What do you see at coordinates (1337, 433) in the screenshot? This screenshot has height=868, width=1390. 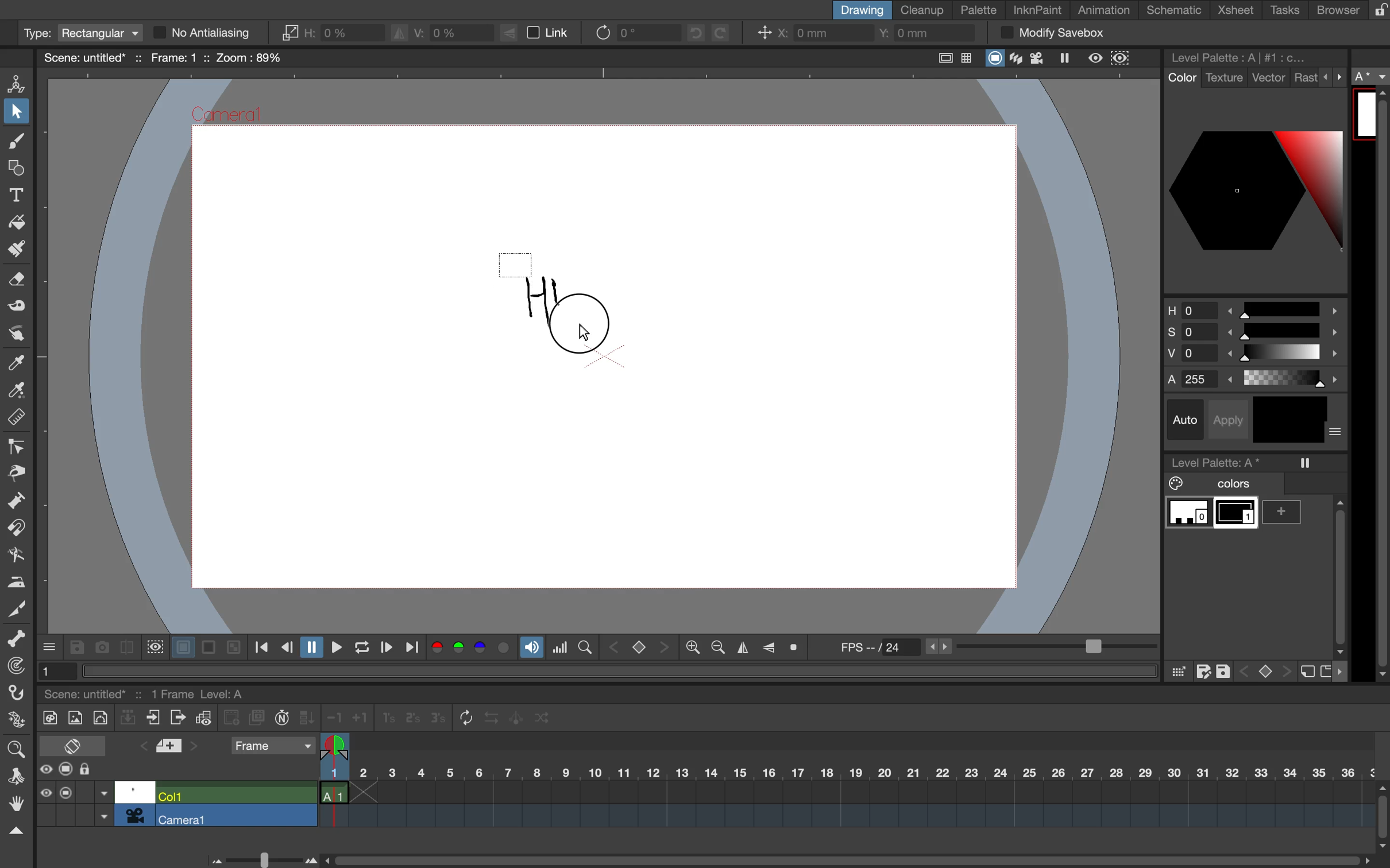 I see `more options` at bounding box center [1337, 433].